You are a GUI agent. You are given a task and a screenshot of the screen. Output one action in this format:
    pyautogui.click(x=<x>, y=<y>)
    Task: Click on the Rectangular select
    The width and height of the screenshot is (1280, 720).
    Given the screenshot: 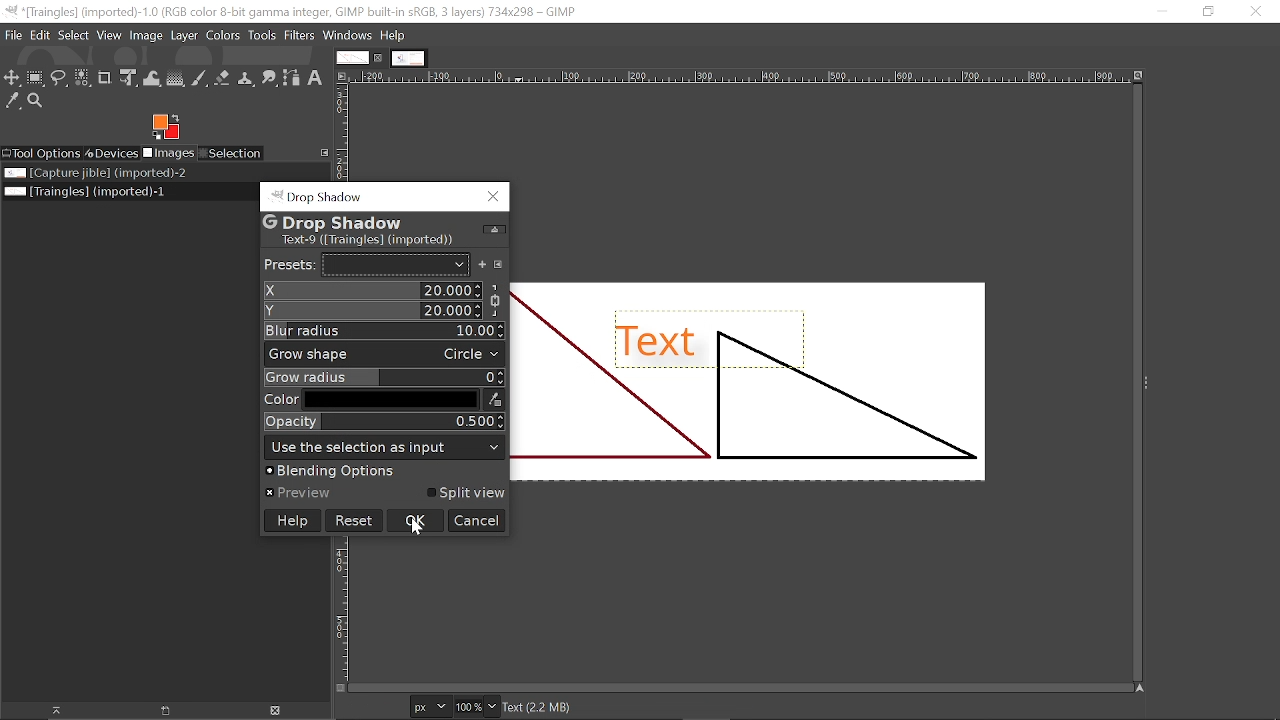 What is the action you would take?
    pyautogui.click(x=36, y=77)
    